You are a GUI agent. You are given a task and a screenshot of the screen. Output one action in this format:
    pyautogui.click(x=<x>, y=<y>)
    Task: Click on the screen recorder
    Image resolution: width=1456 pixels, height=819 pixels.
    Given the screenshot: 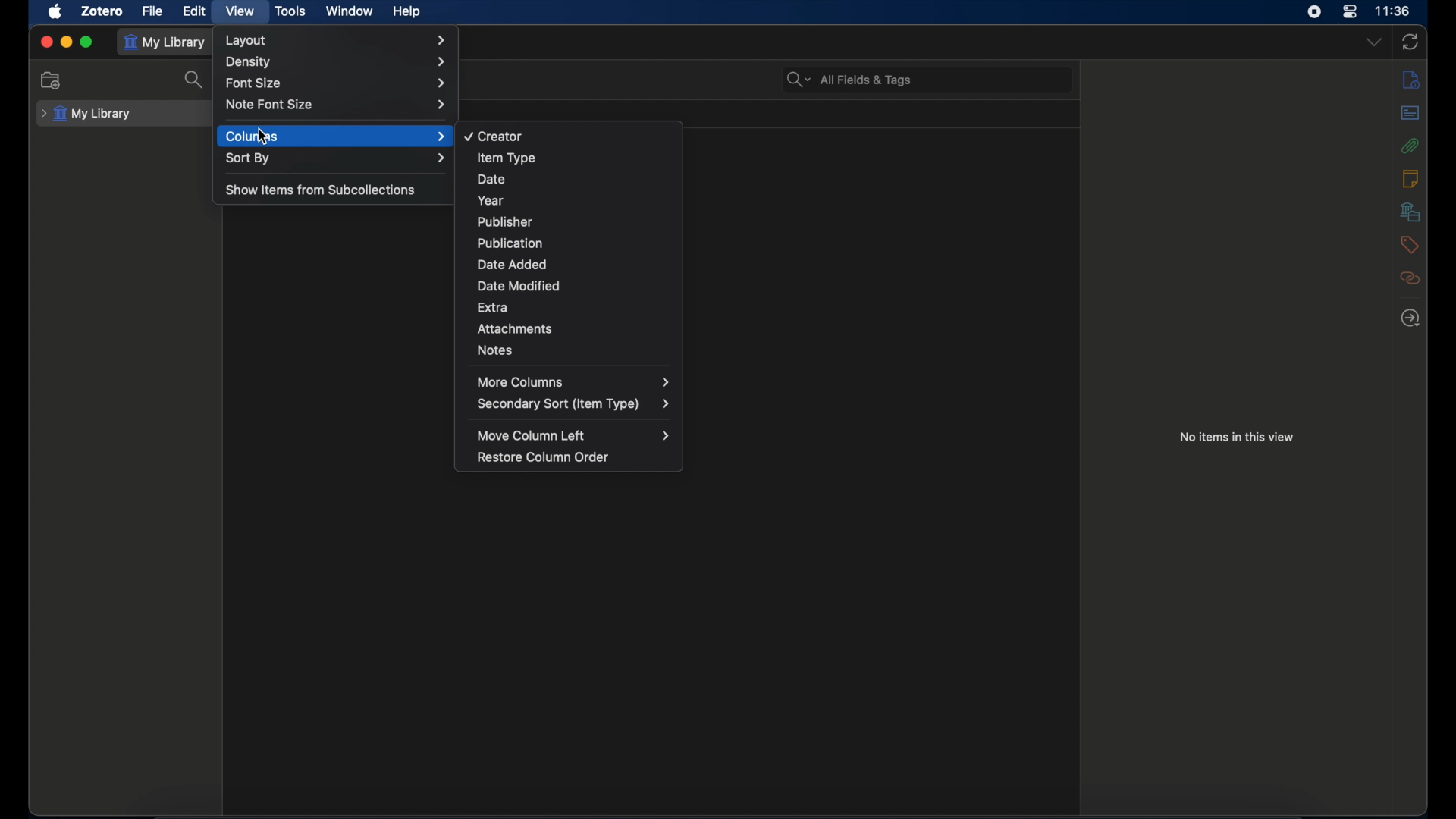 What is the action you would take?
    pyautogui.click(x=1314, y=11)
    